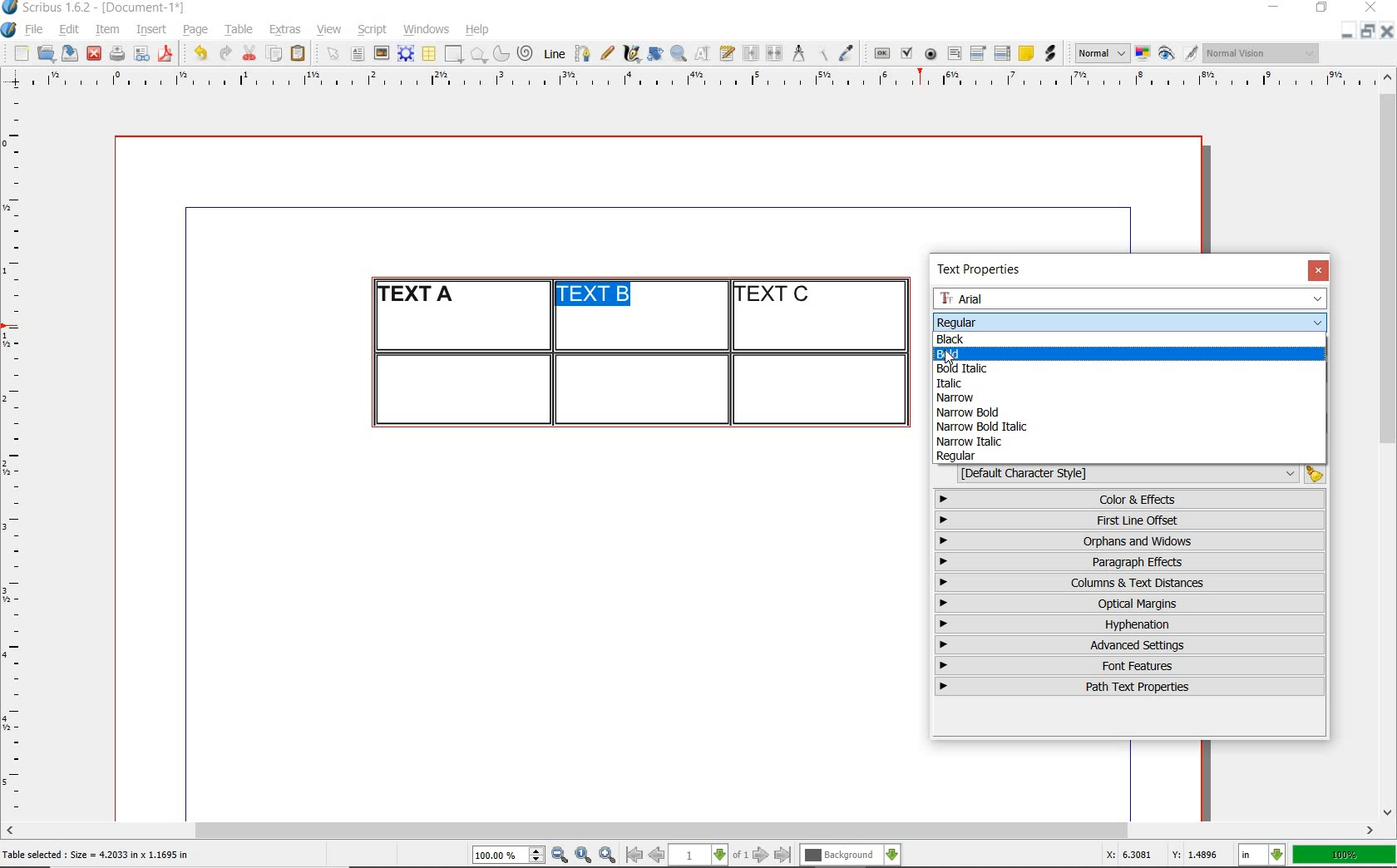 The image size is (1397, 868). What do you see at coordinates (275, 55) in the screenshot?
I see `copy` at bounding box center [275, 55].